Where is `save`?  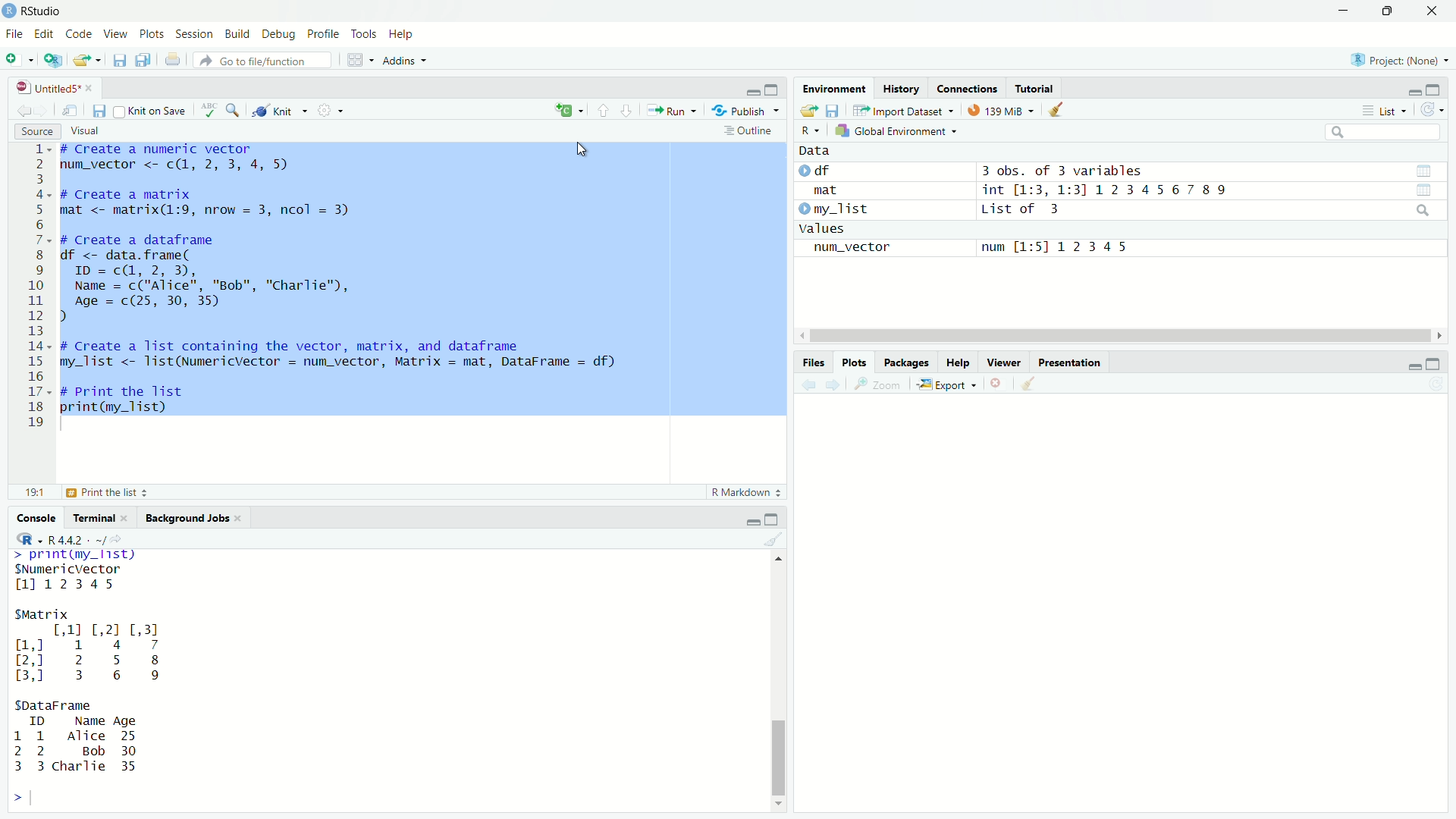
save is located at coordinates (118, 63).